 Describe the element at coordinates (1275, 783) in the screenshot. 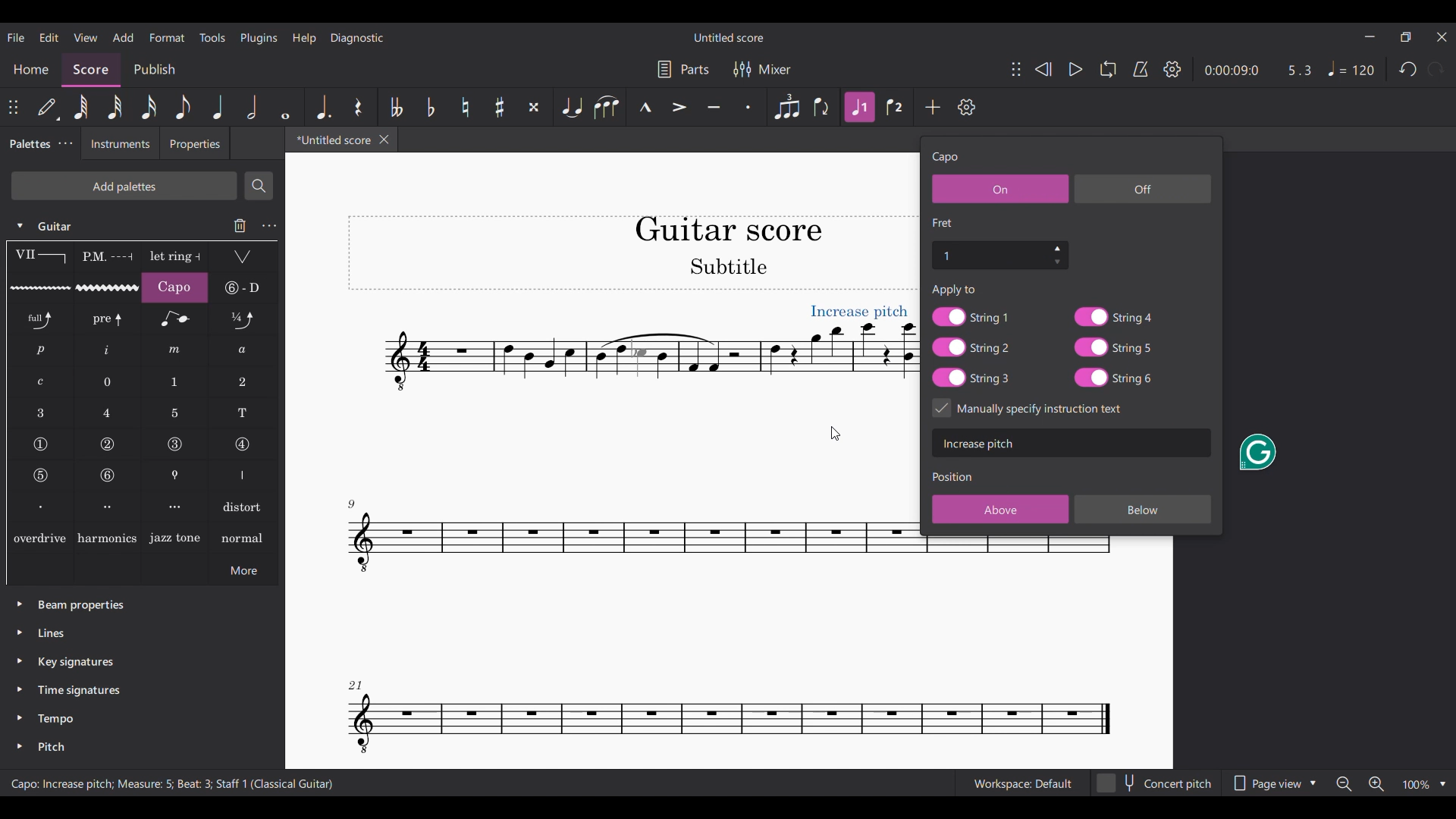

I see `Page view options` at that location.